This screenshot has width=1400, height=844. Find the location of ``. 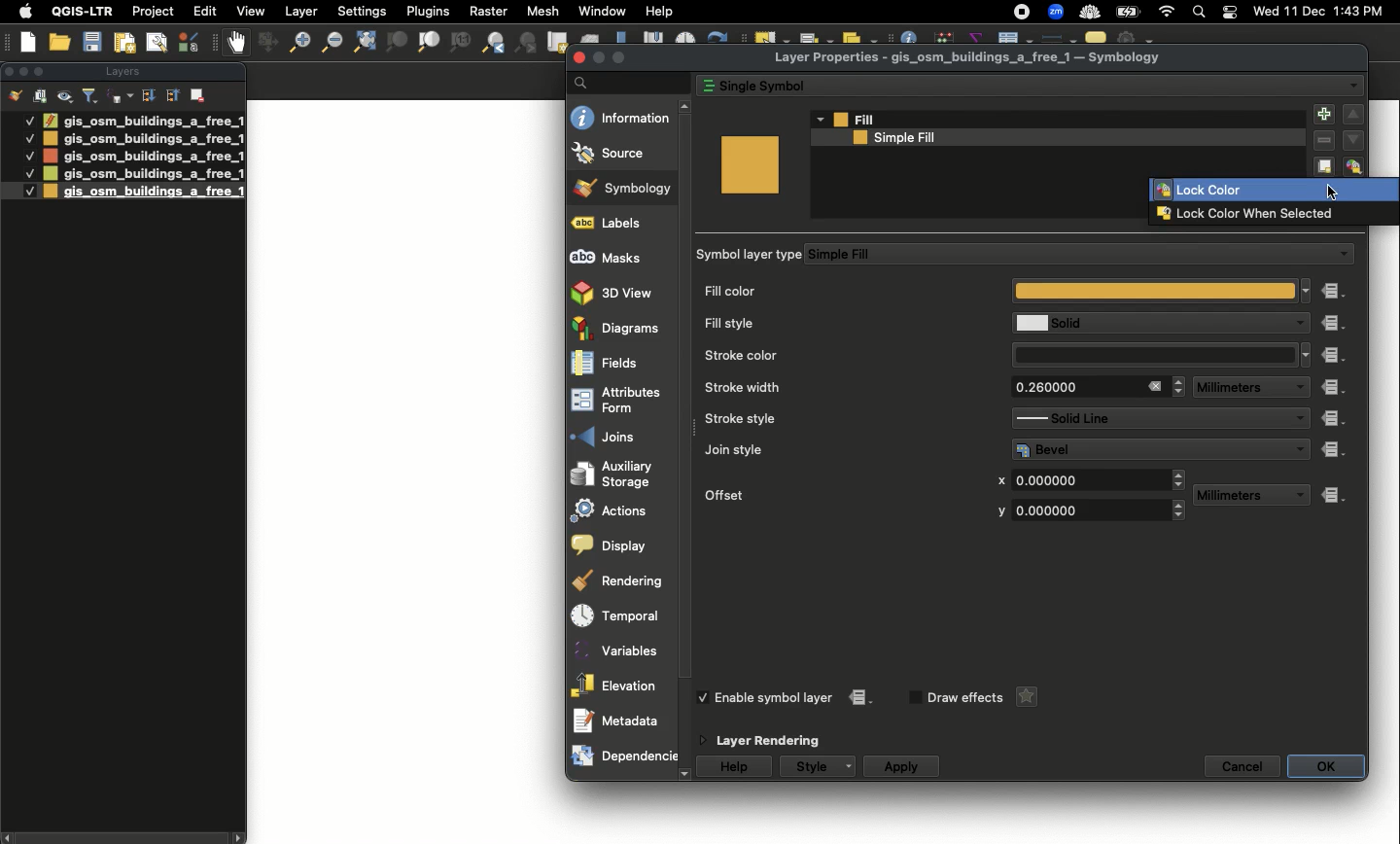

 is located at coordinates (1334, 419).